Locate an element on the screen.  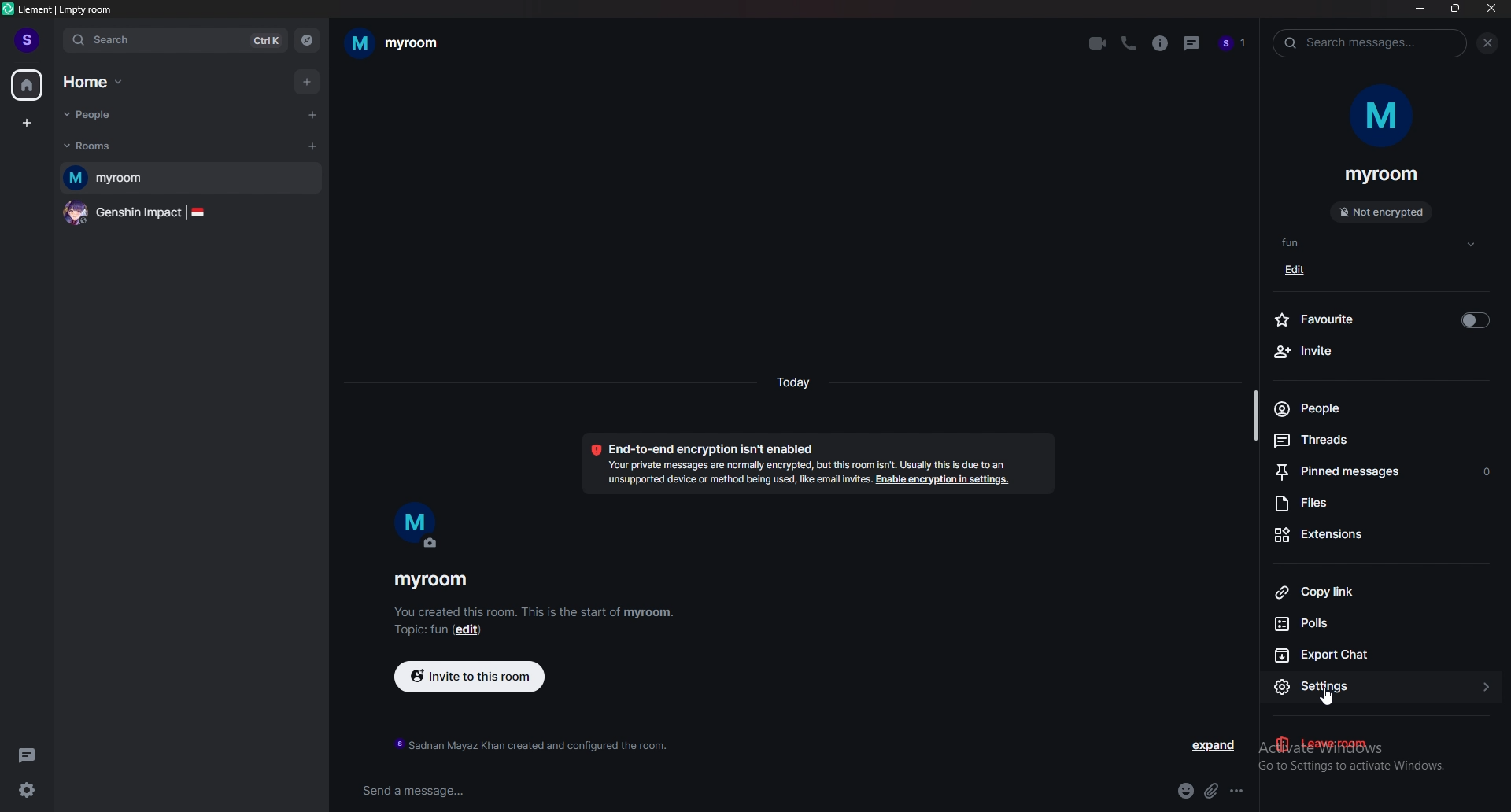
edit is located at coordinates (474, 633).